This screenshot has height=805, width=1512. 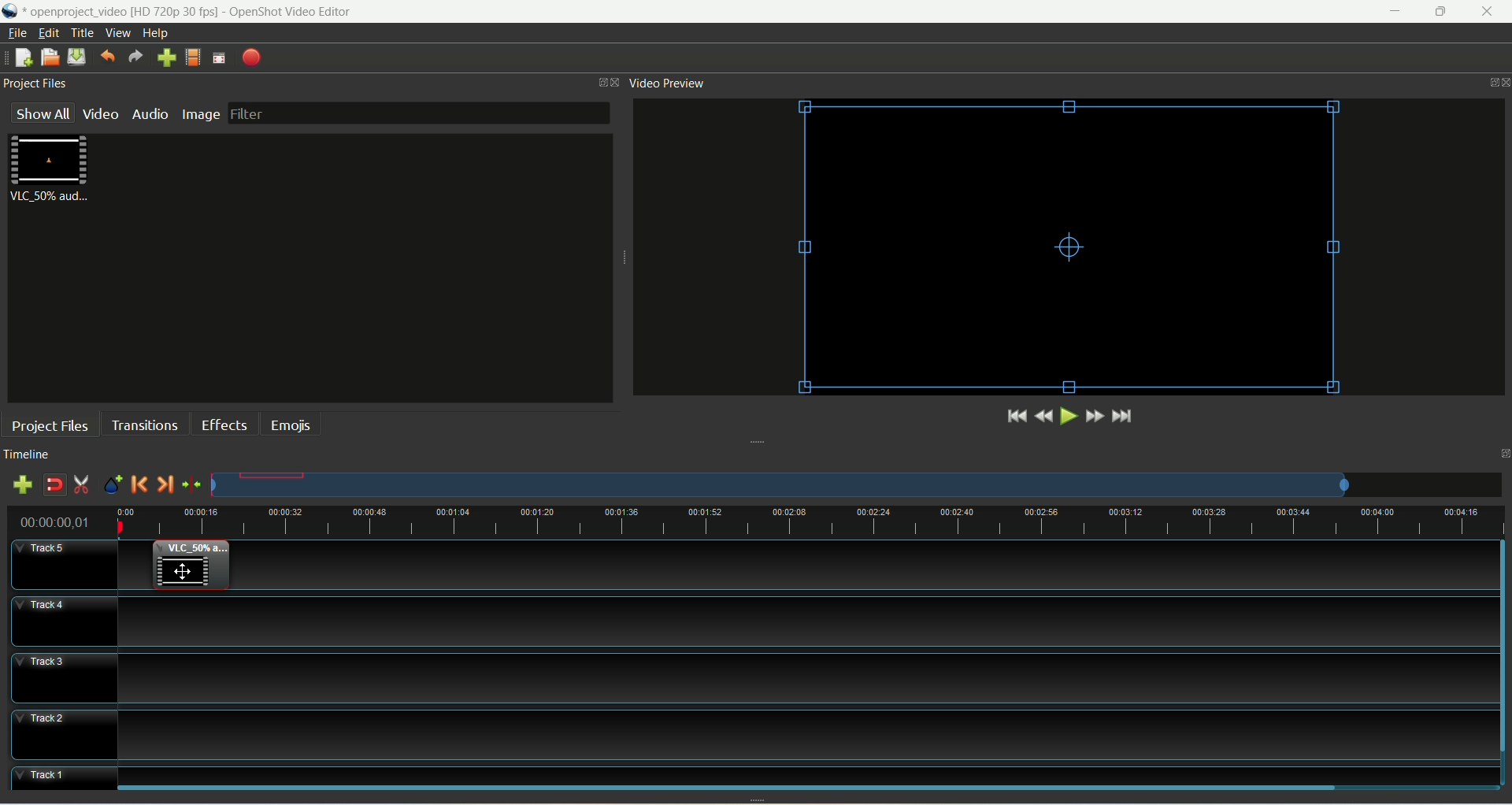 I want to click on export video, so click(x=251, y=58).